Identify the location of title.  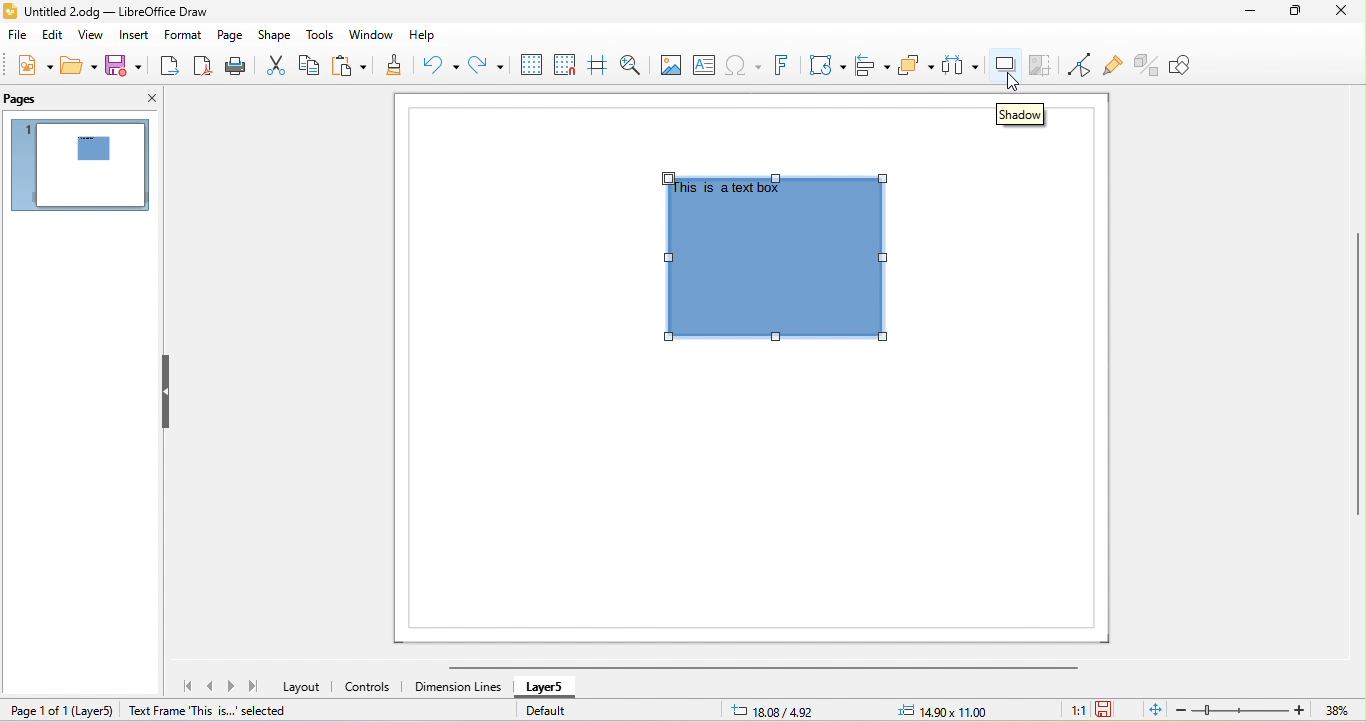
(115, 12).